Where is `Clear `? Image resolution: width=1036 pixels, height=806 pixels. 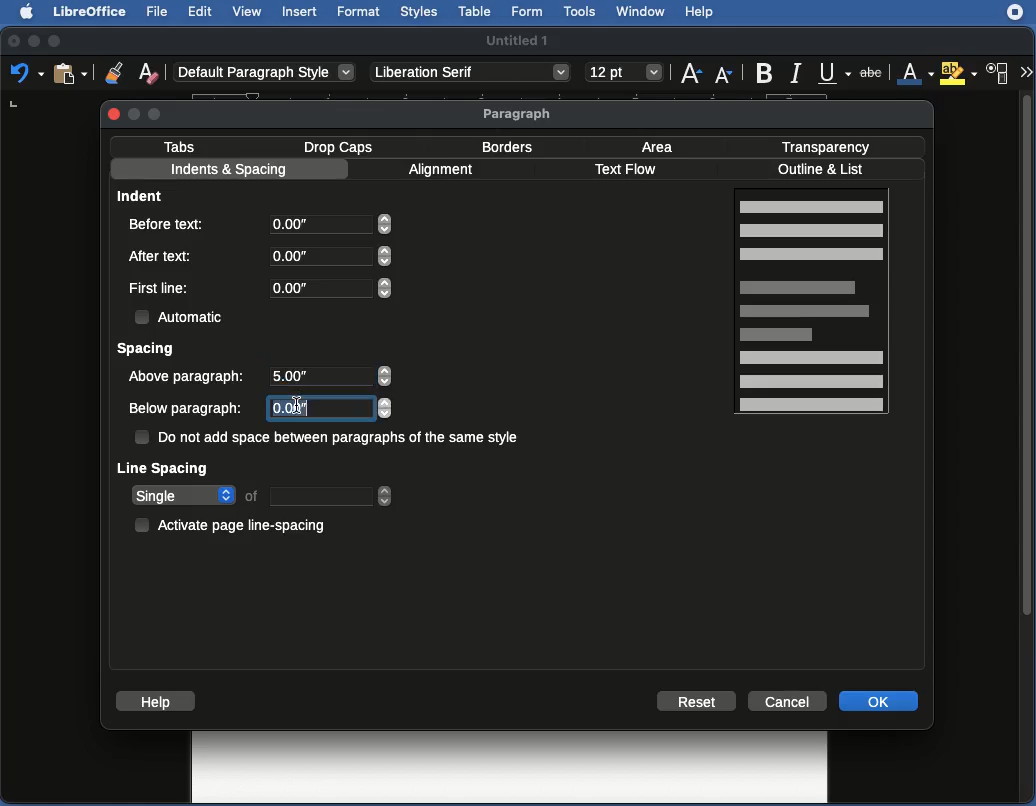 Clear  is located at coordinates (149, 72).